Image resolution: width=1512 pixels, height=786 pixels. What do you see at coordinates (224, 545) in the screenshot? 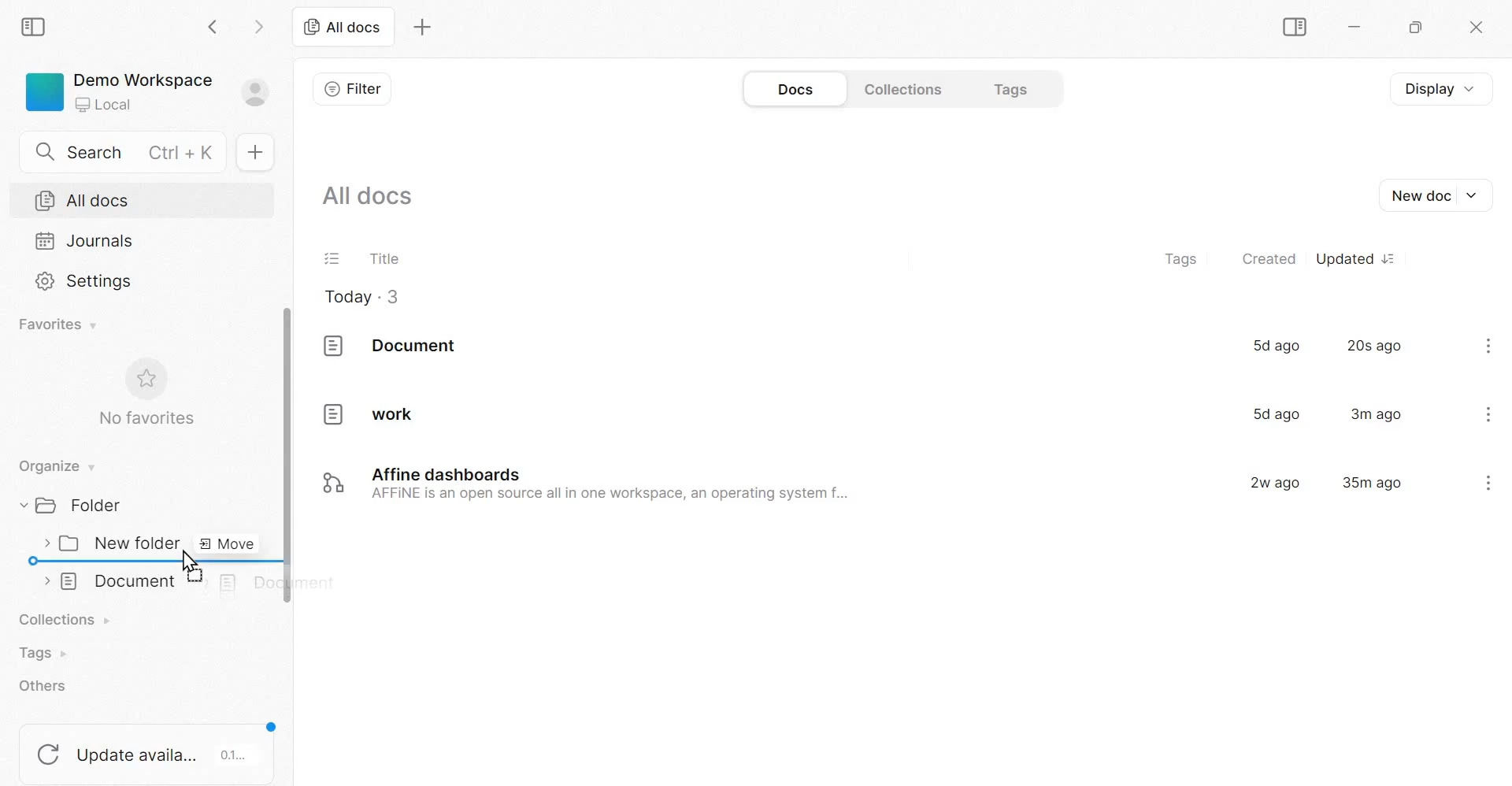
I see `move` at bounding box center [224, 545].